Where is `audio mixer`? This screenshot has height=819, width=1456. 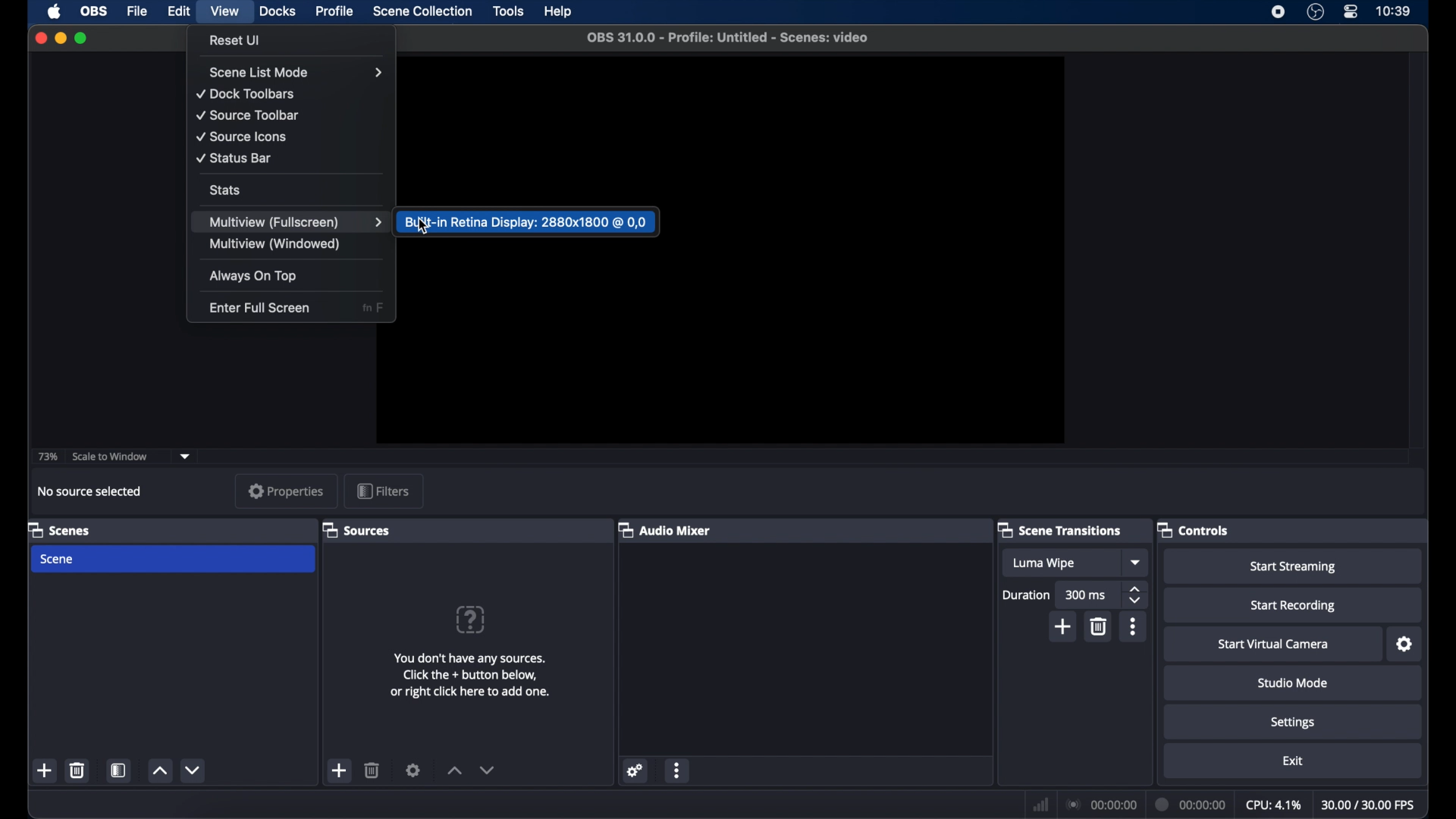
audio mixer is located at coordinates (661, 529).